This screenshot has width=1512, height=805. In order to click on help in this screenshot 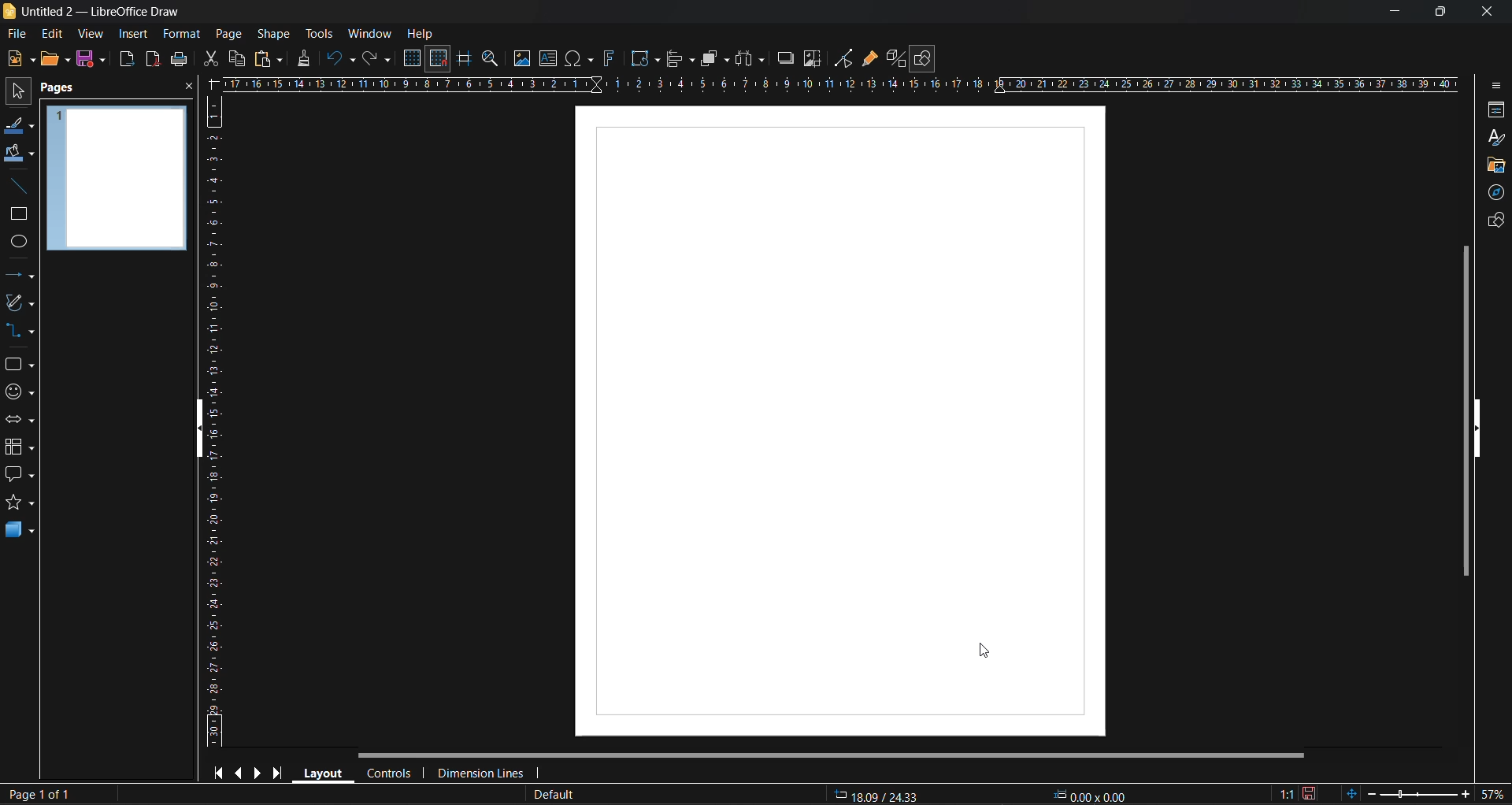, I will do `click(421, 33)`.